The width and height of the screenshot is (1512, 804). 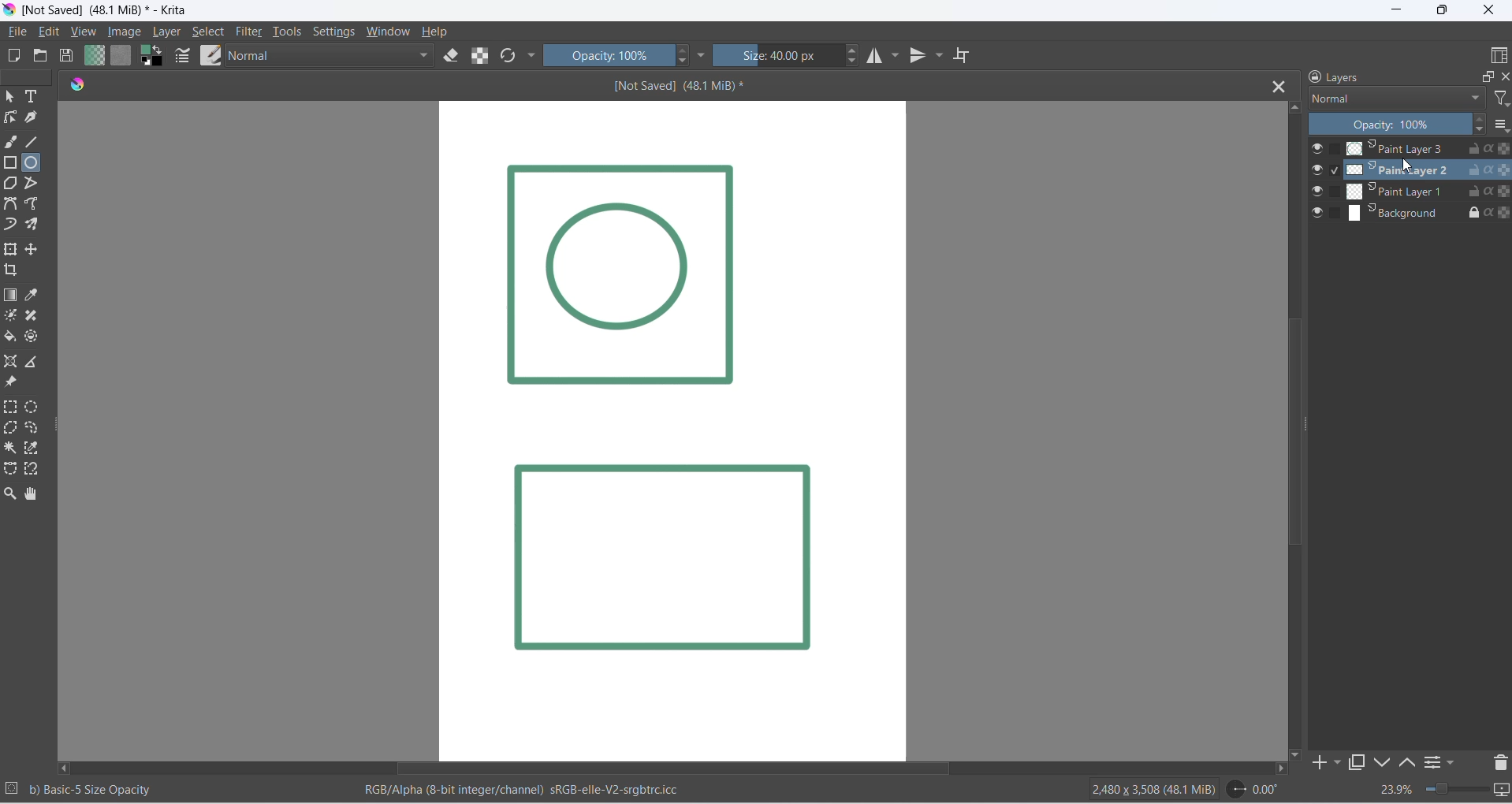 I want to click on zoom, so click(x=1458, y=787).